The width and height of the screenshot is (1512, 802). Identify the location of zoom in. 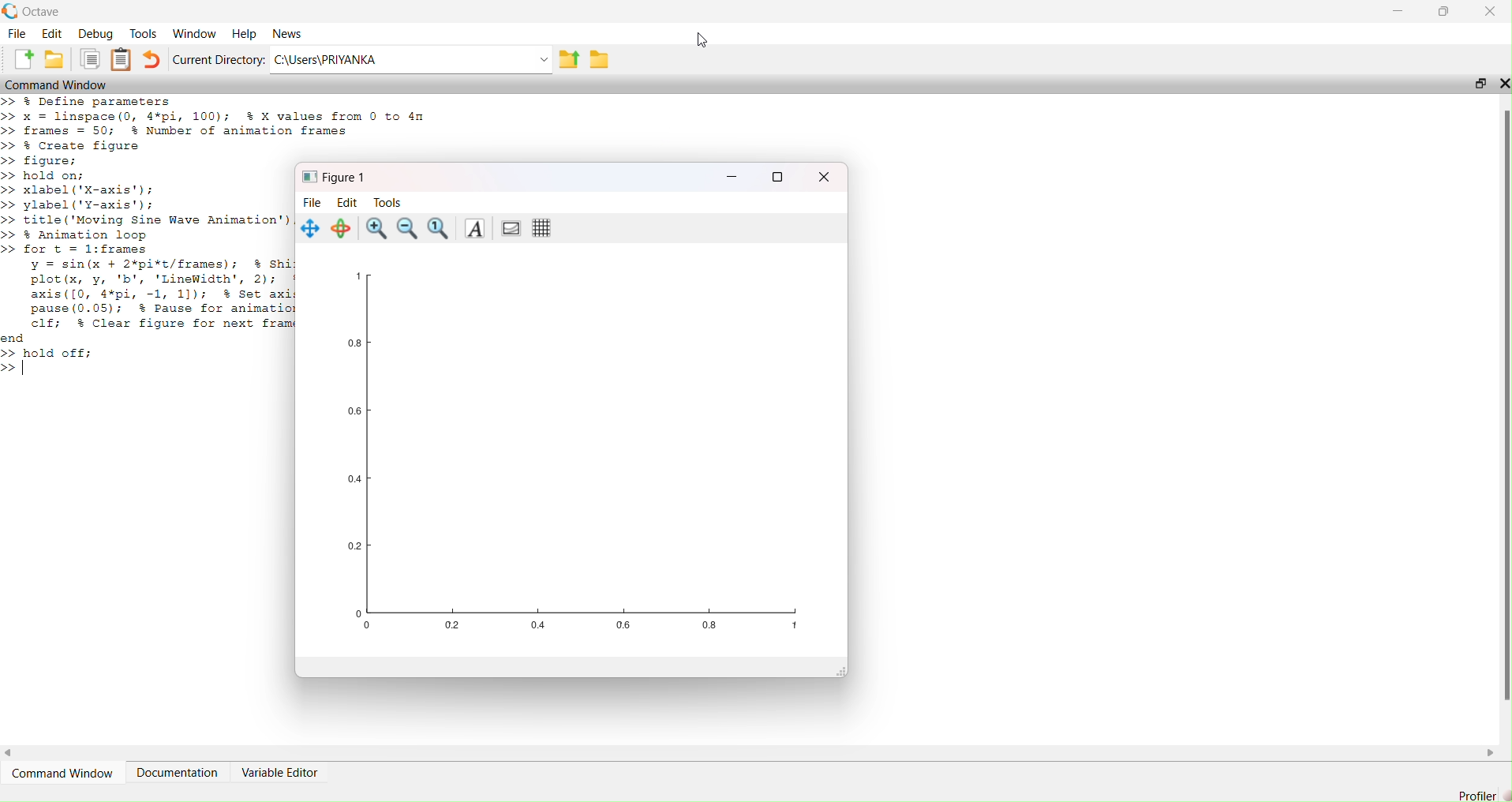
(375, 227).